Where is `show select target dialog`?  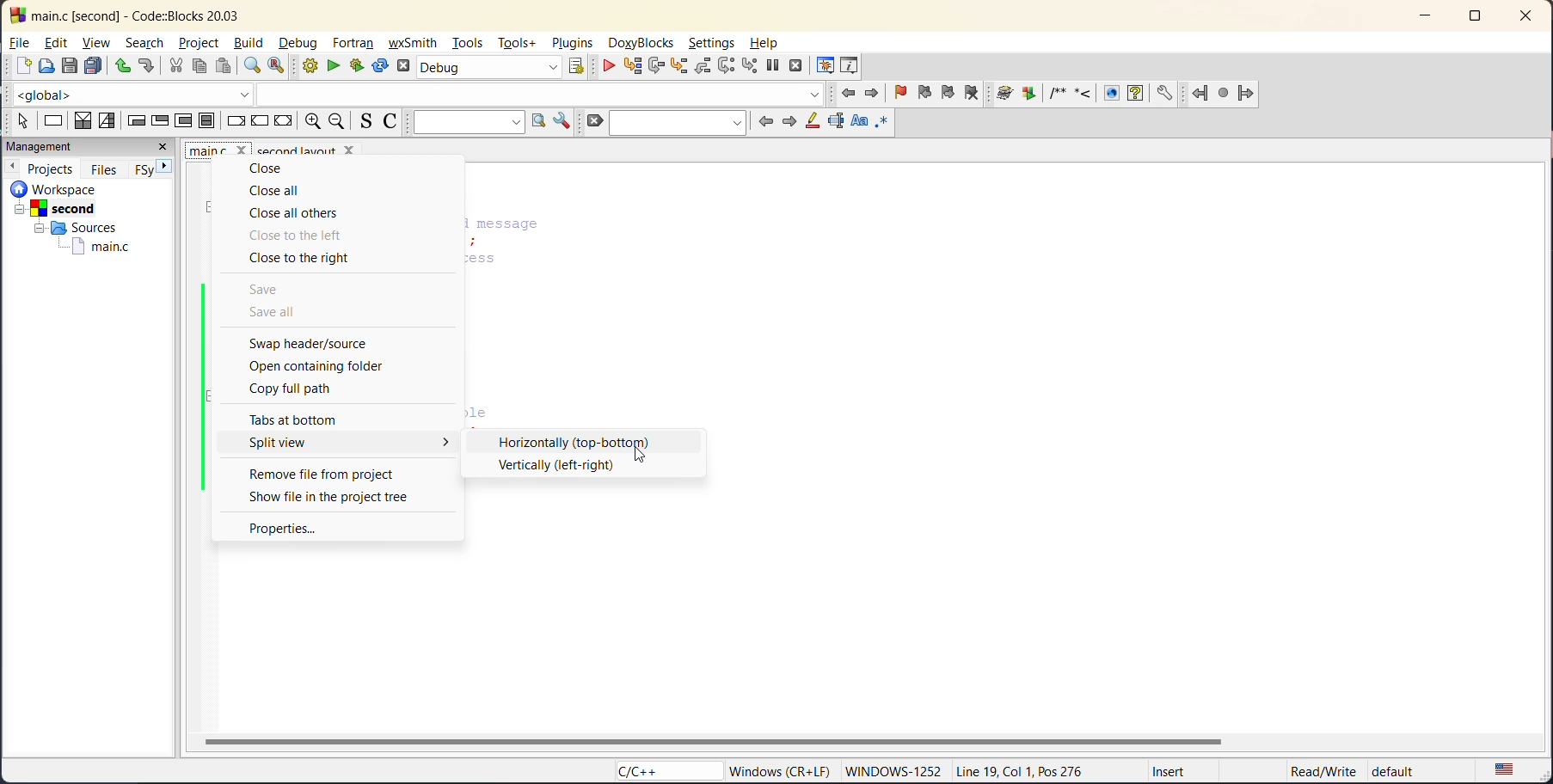 show select target dialog is located at coordinates (581, 68).